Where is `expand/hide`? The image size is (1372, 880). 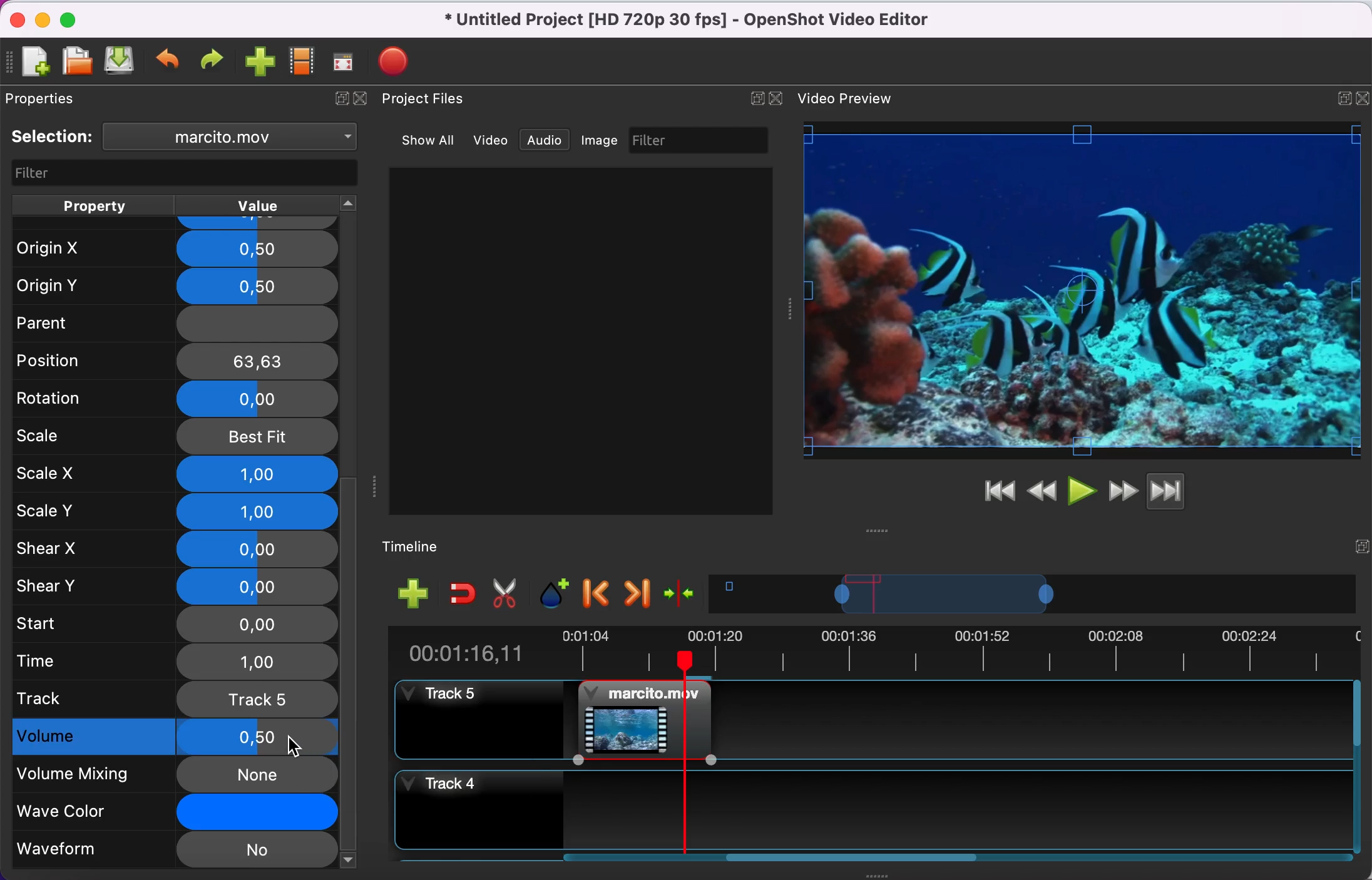
expand/hide is located at coordinates (338, 101).